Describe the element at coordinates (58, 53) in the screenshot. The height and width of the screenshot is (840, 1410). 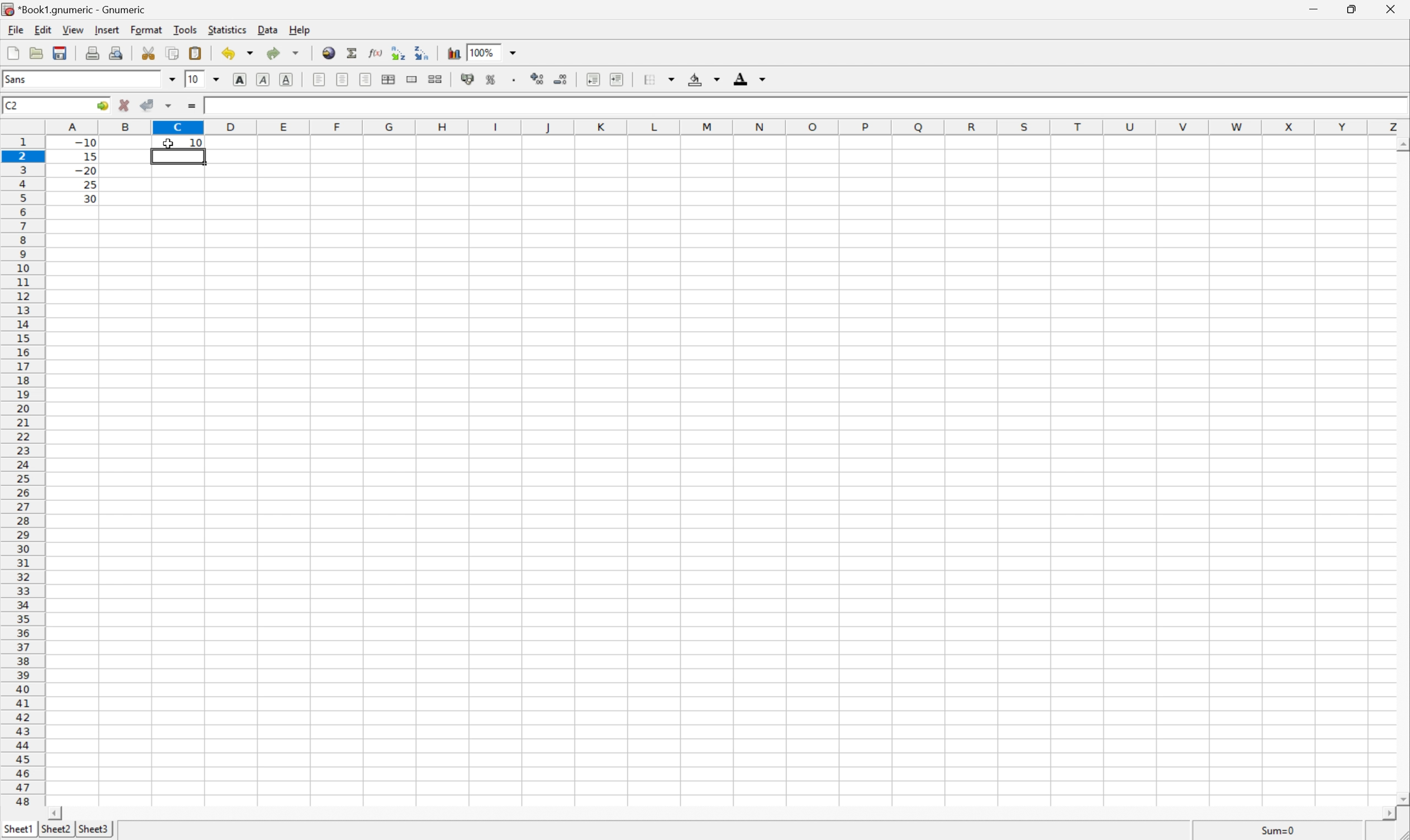
I see `Open mobile file` at that location.